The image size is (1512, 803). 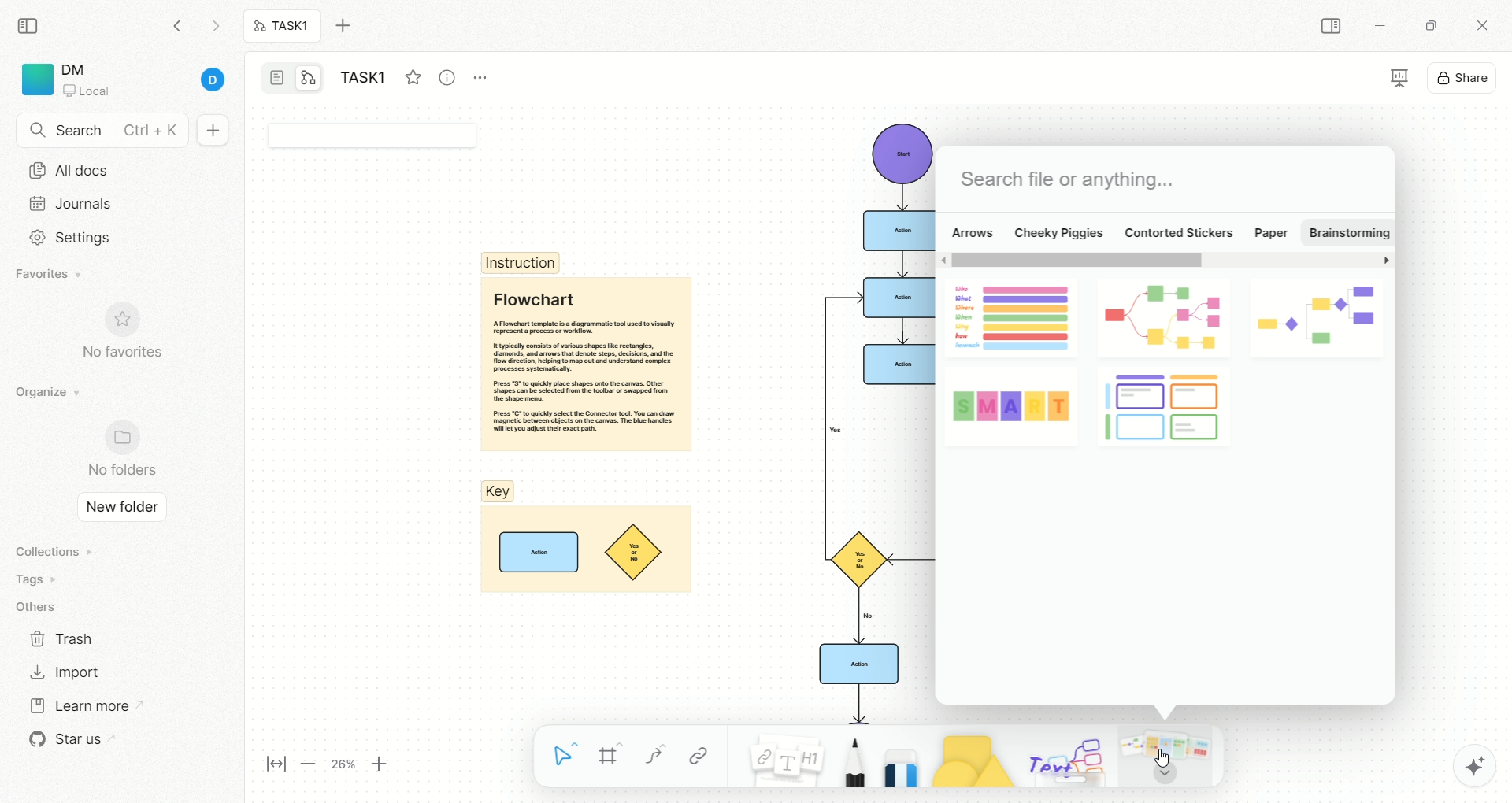 I want to click on others, so click(x=39, y=608).